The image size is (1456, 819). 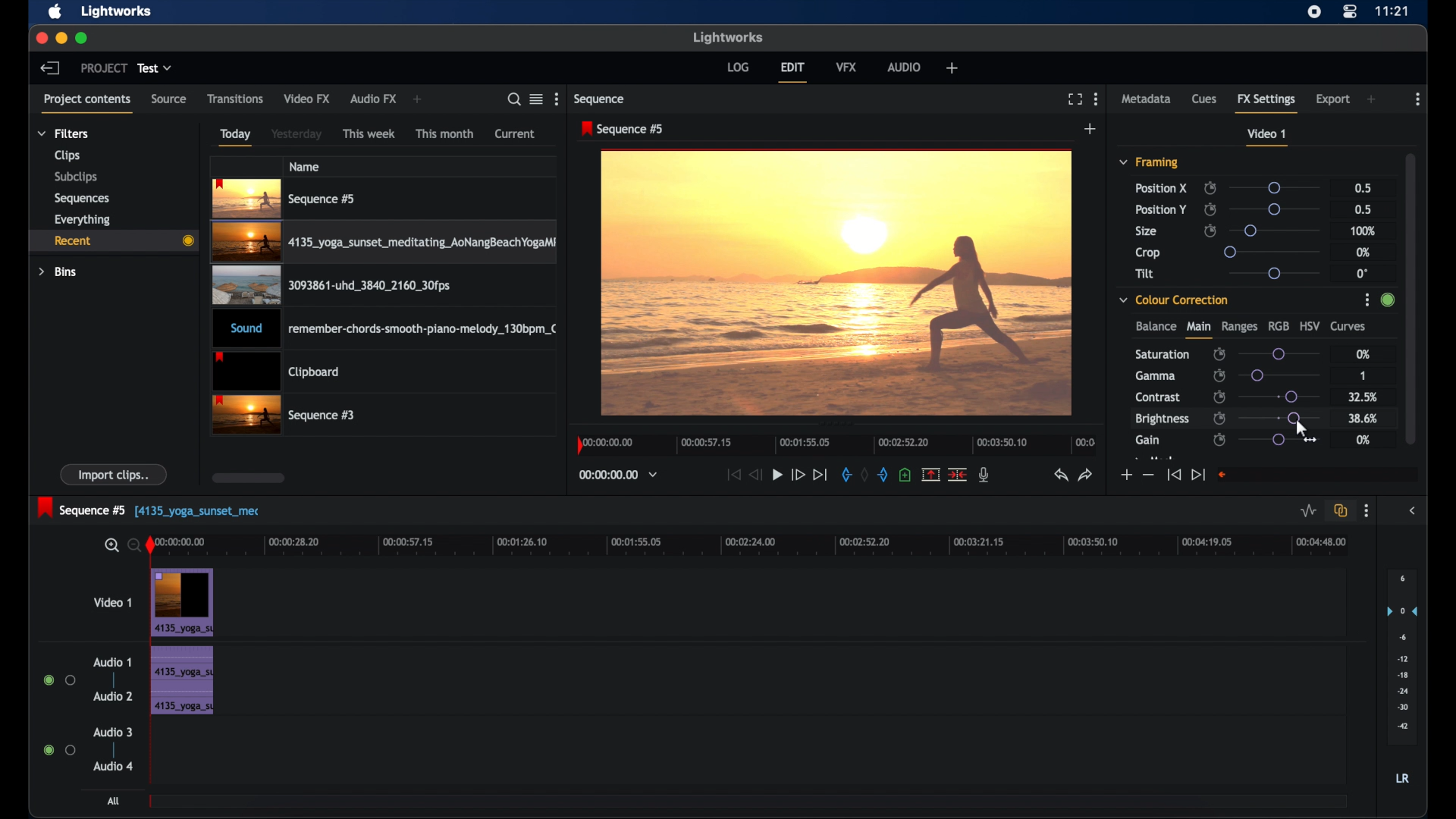 I want to click on add cue at current position, so click(x=905, y=475).